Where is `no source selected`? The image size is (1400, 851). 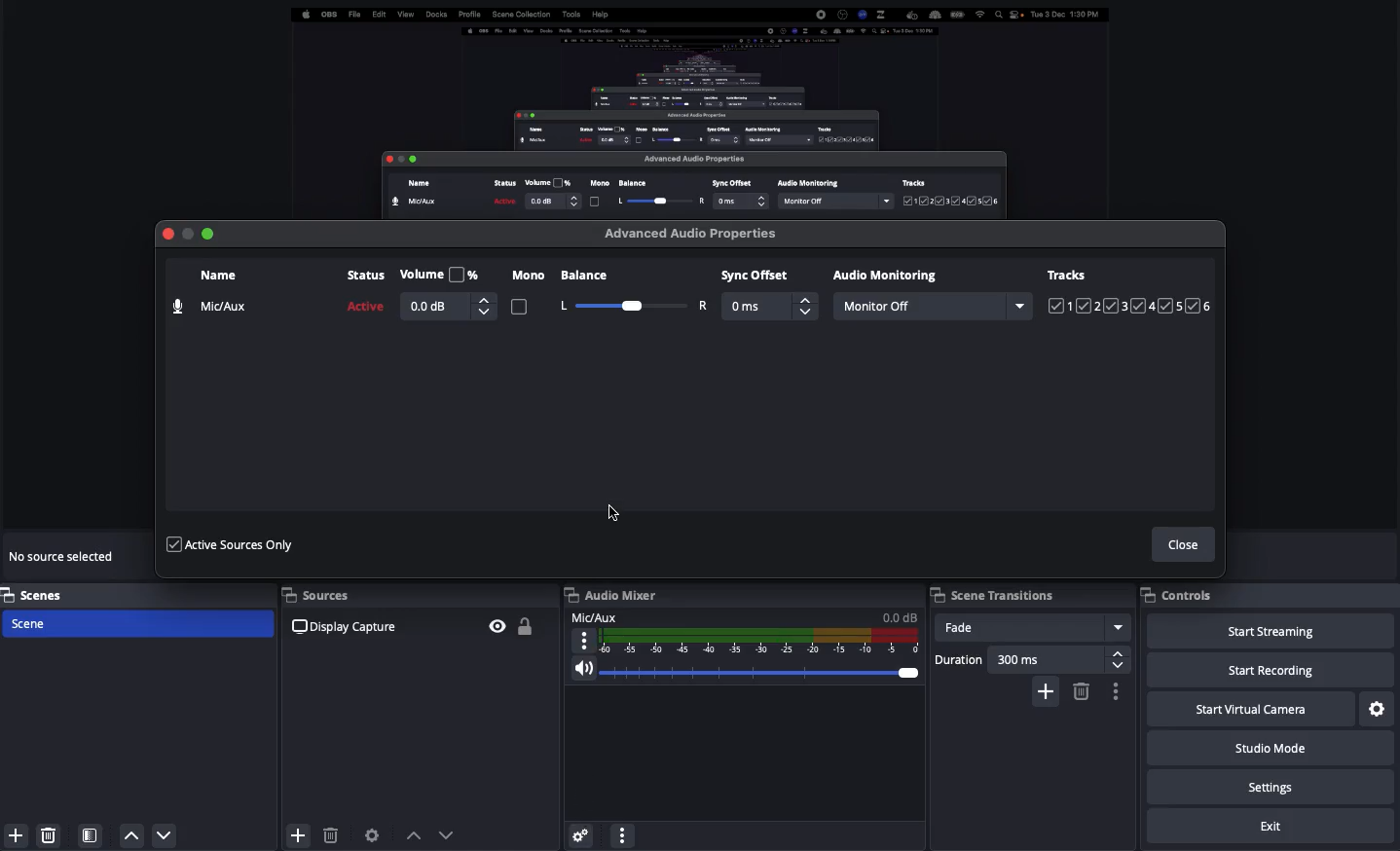 no source selected is located at coordinates (70, 555).